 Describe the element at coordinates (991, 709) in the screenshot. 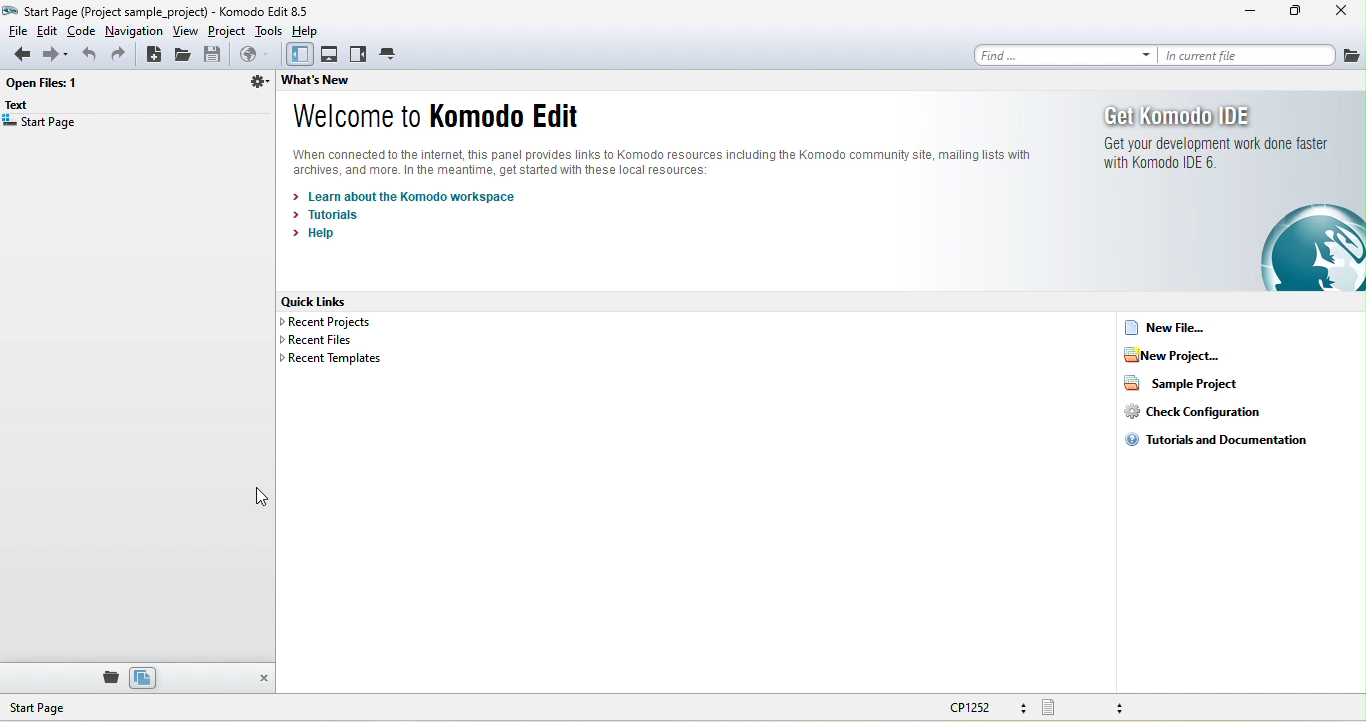

I see `cp1252` at that location.